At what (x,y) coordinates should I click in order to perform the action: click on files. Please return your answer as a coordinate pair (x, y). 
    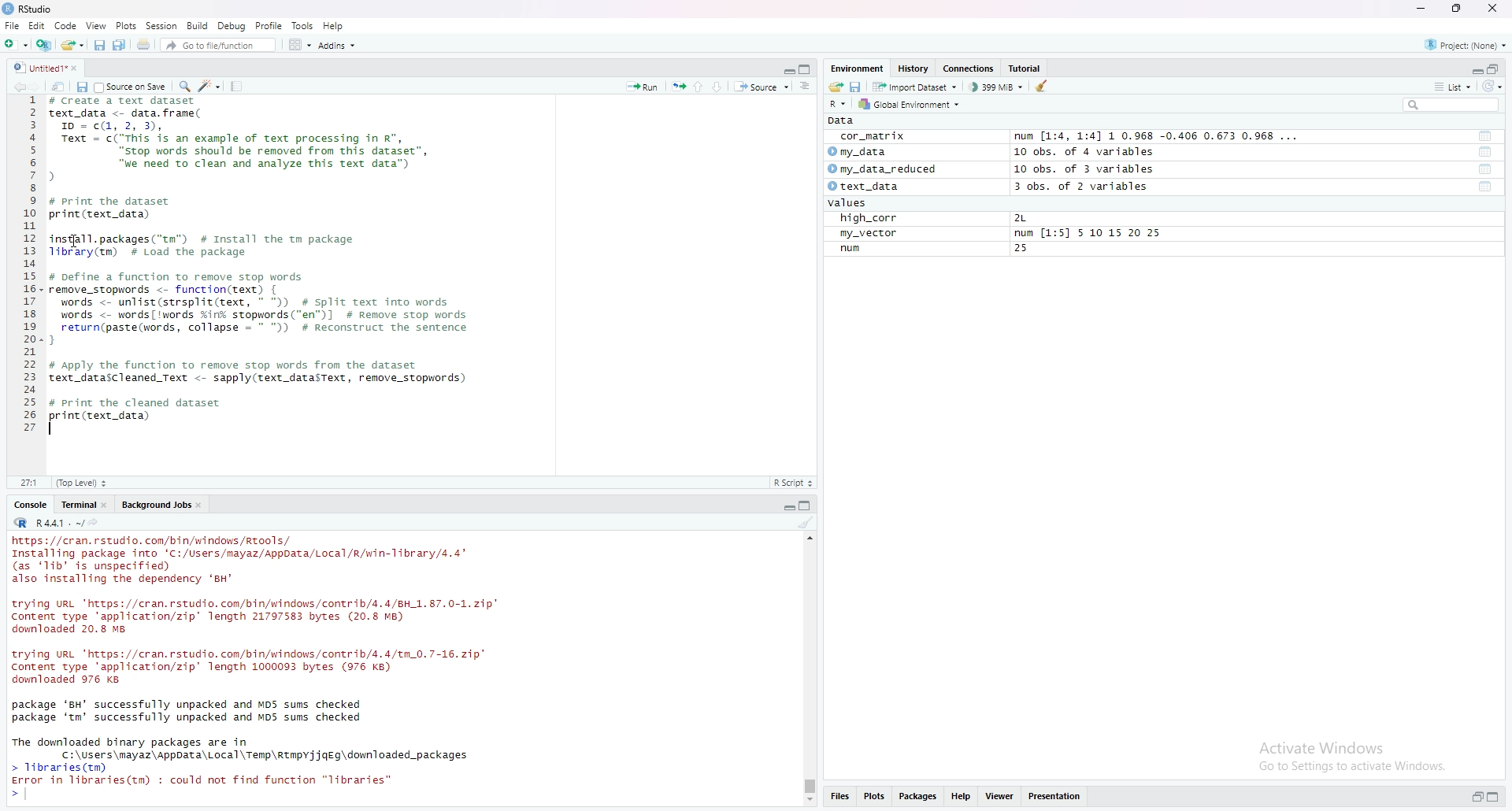
    Looking at the image, I should click on (840, 797).